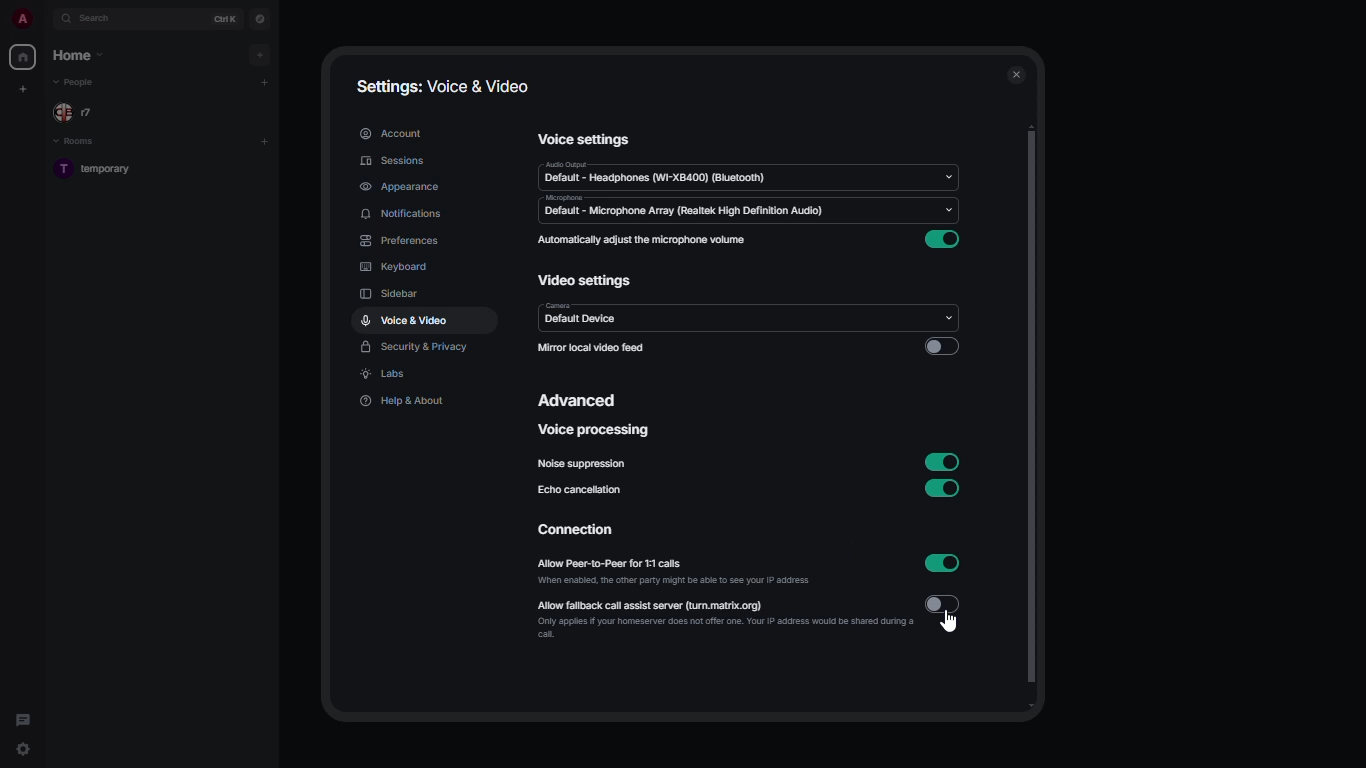  What do you see at coordinates (941, 241) in the screenshot?
I see `enabled` at bounding box center [941, 241].